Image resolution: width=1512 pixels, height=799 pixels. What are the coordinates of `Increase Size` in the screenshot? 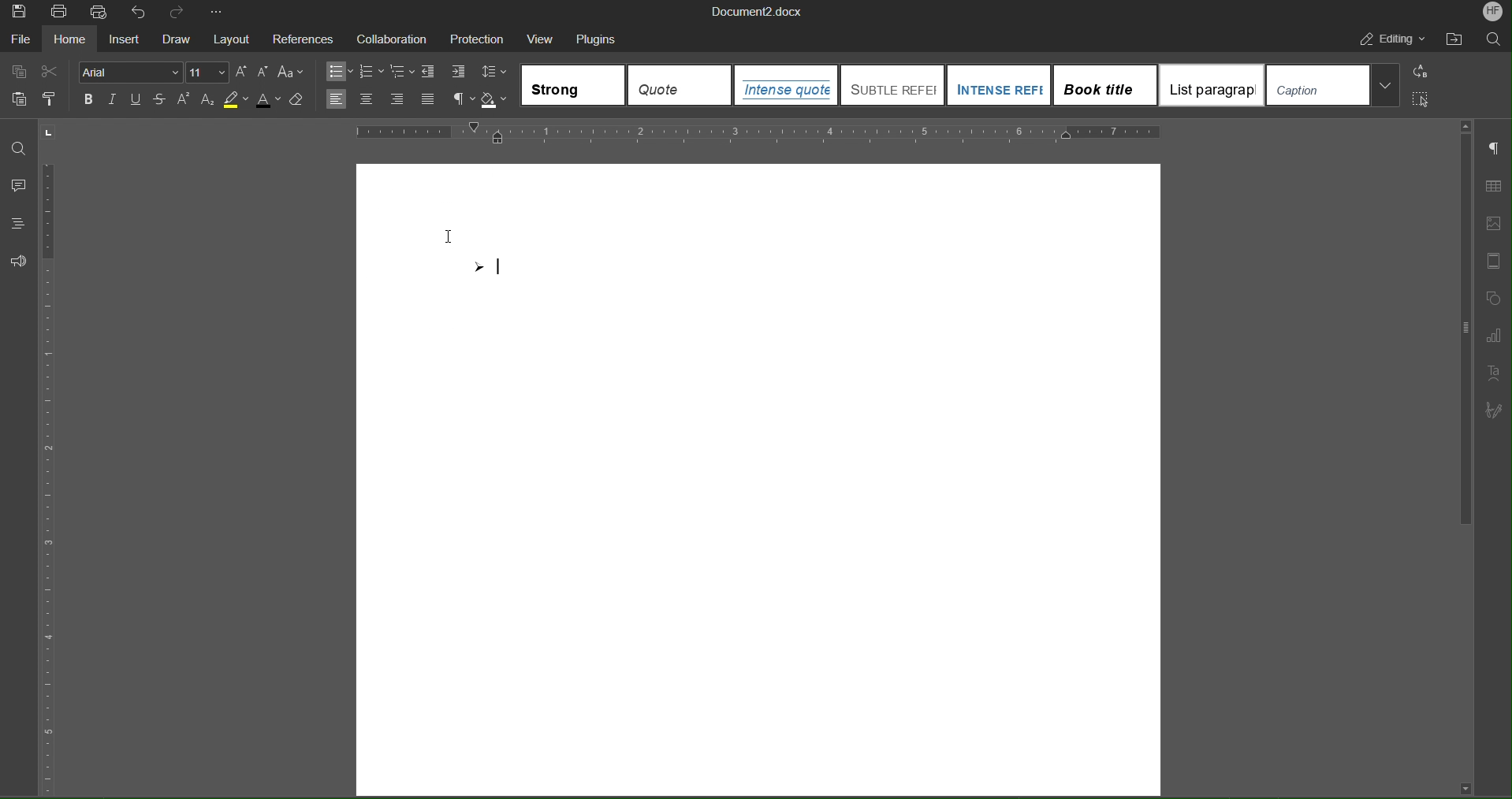 It's located at (242, 71).